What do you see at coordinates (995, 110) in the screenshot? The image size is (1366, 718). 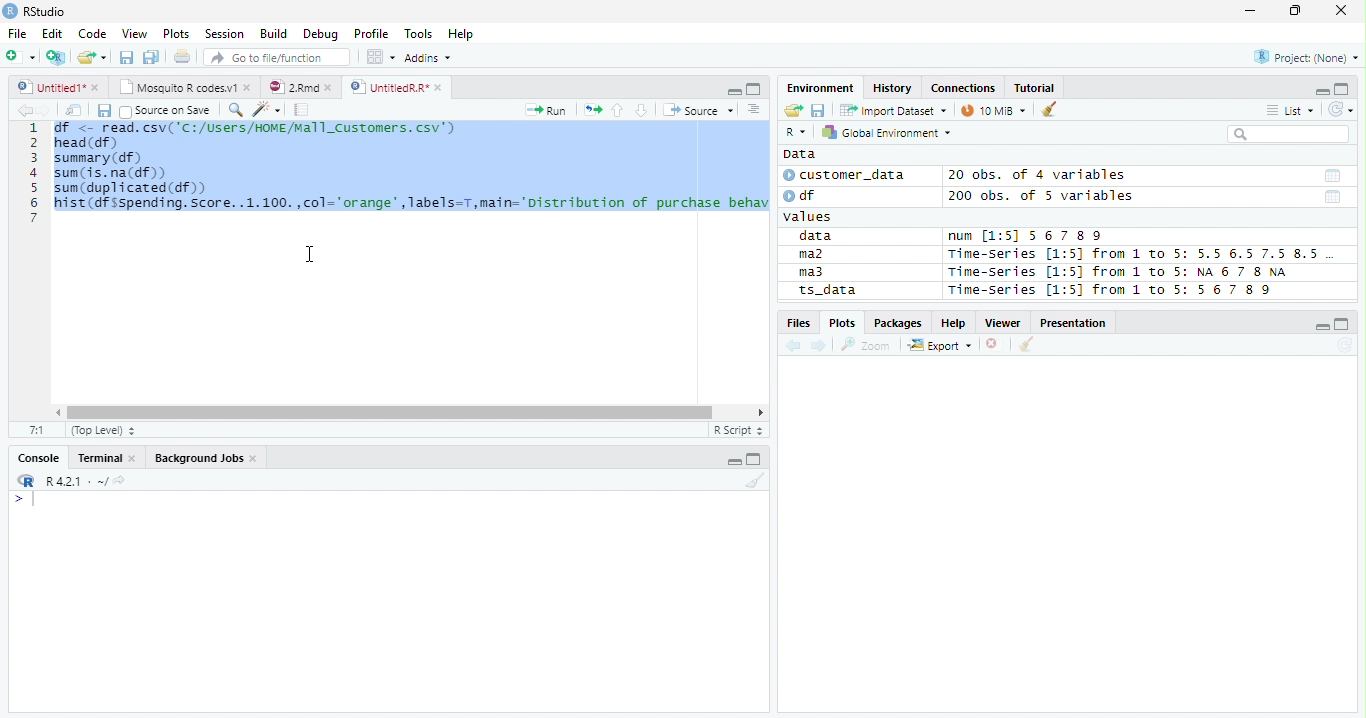 I see `10 MiB` at bounding box center [995, 110].